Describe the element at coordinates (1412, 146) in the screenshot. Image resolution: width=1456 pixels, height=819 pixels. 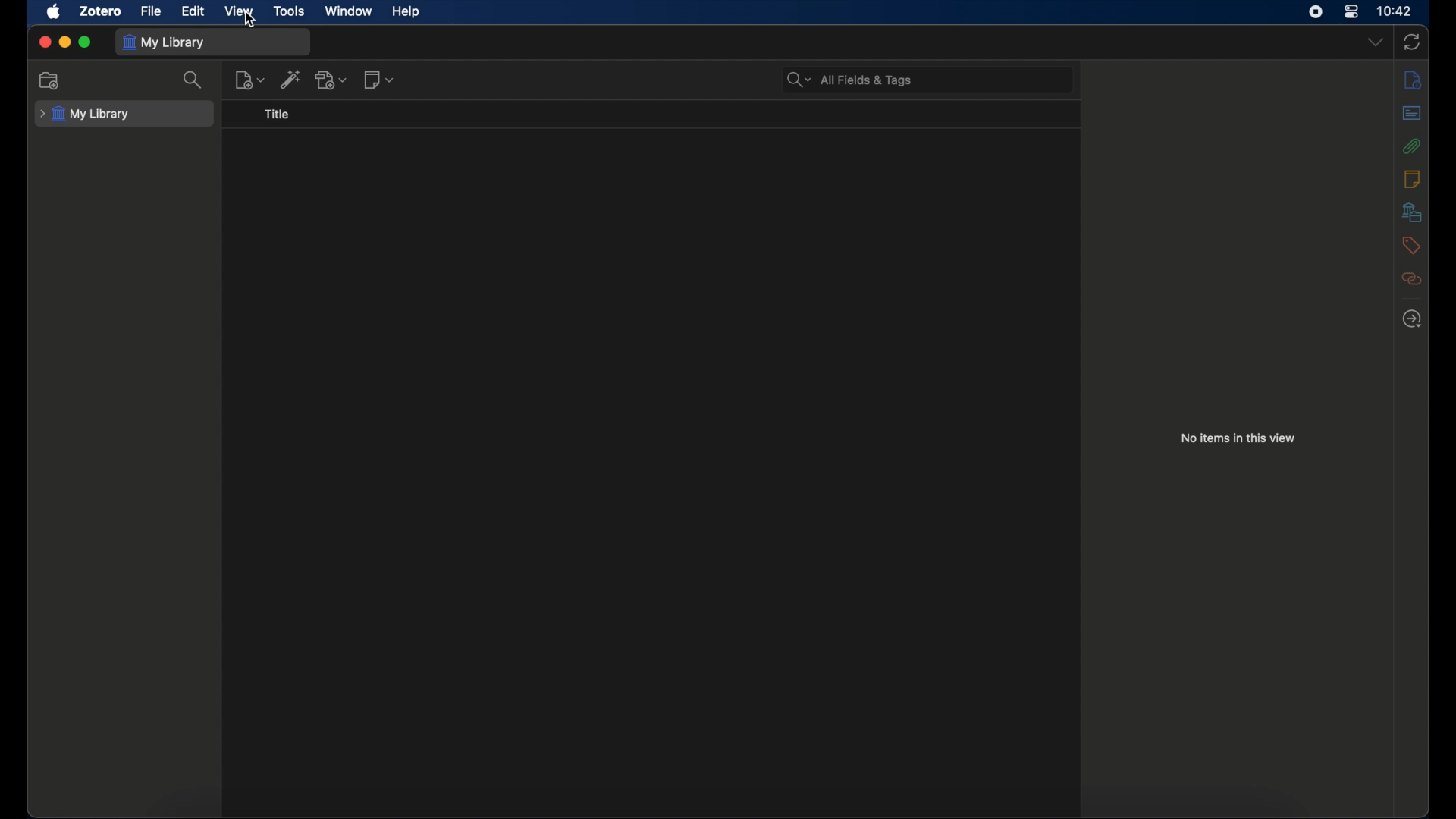
I see `attachments` at that location.